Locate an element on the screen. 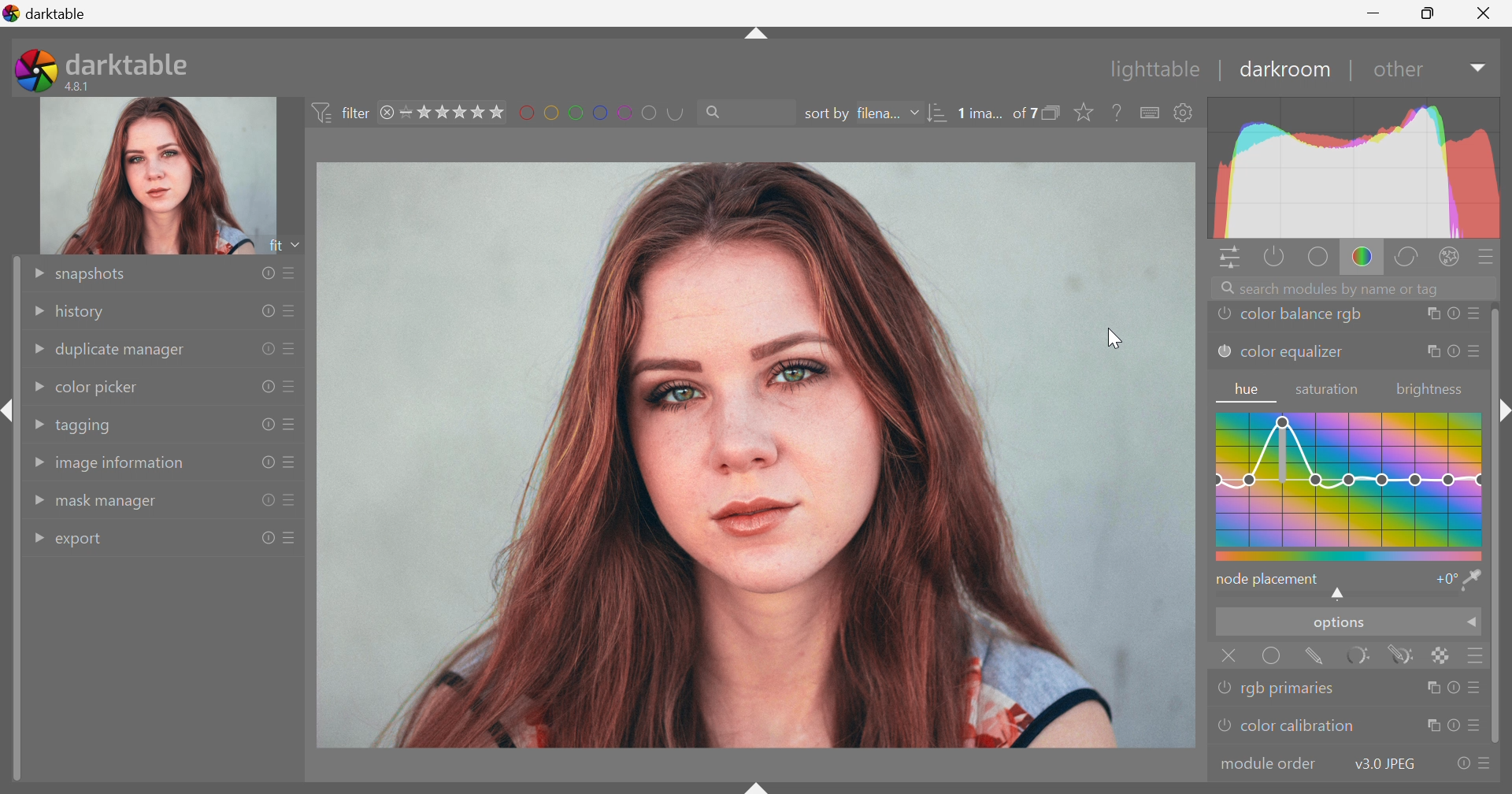 This screenshot has height=794, width=1512. history is located at coordinates (84, 313).